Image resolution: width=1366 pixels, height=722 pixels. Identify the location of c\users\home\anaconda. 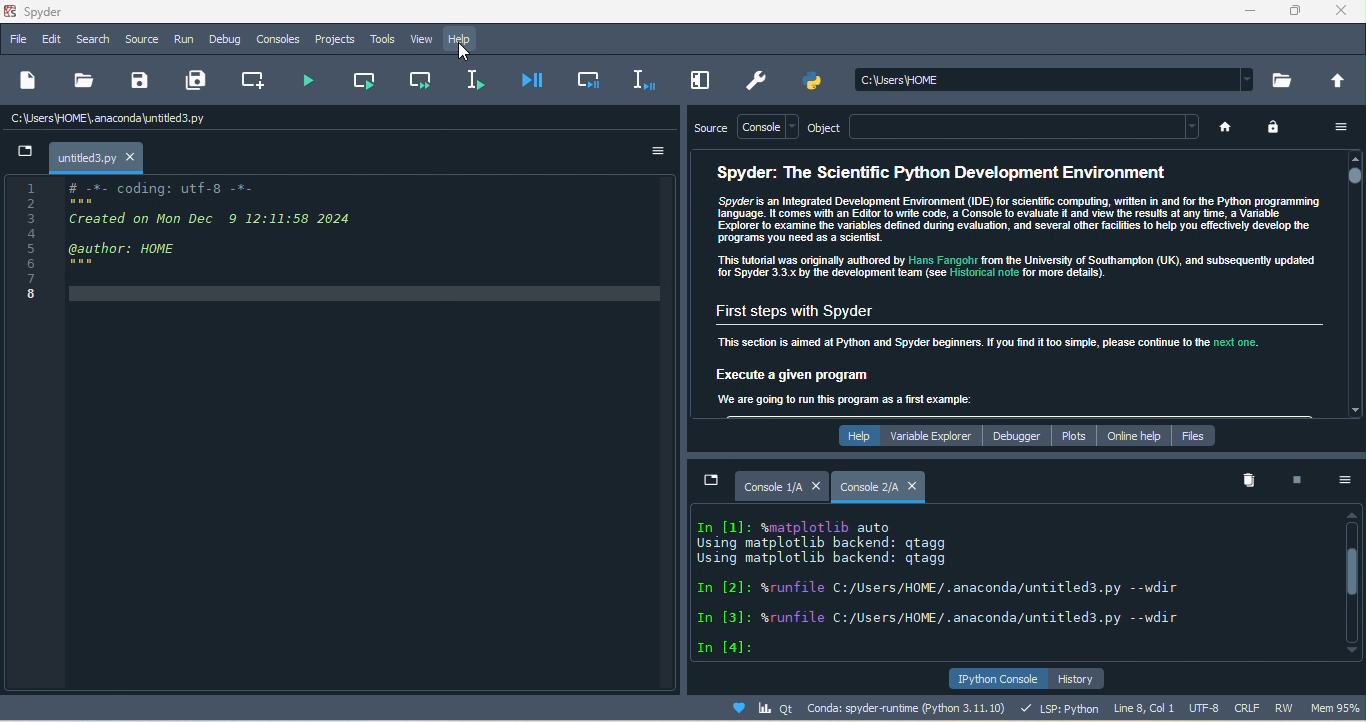
(117, 119).